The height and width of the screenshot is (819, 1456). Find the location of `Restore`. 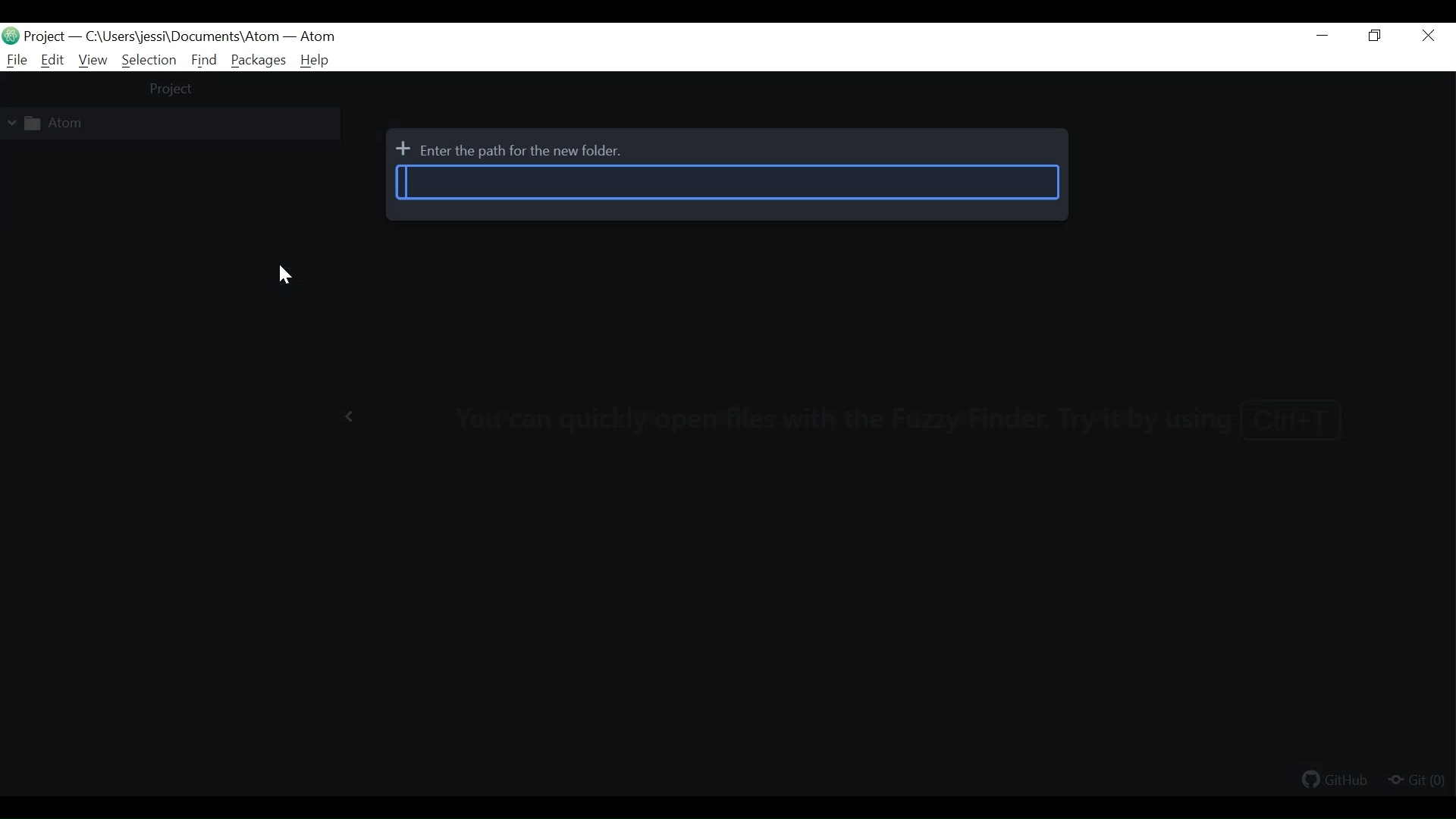

Restore is located at coordinates (1377, 36).